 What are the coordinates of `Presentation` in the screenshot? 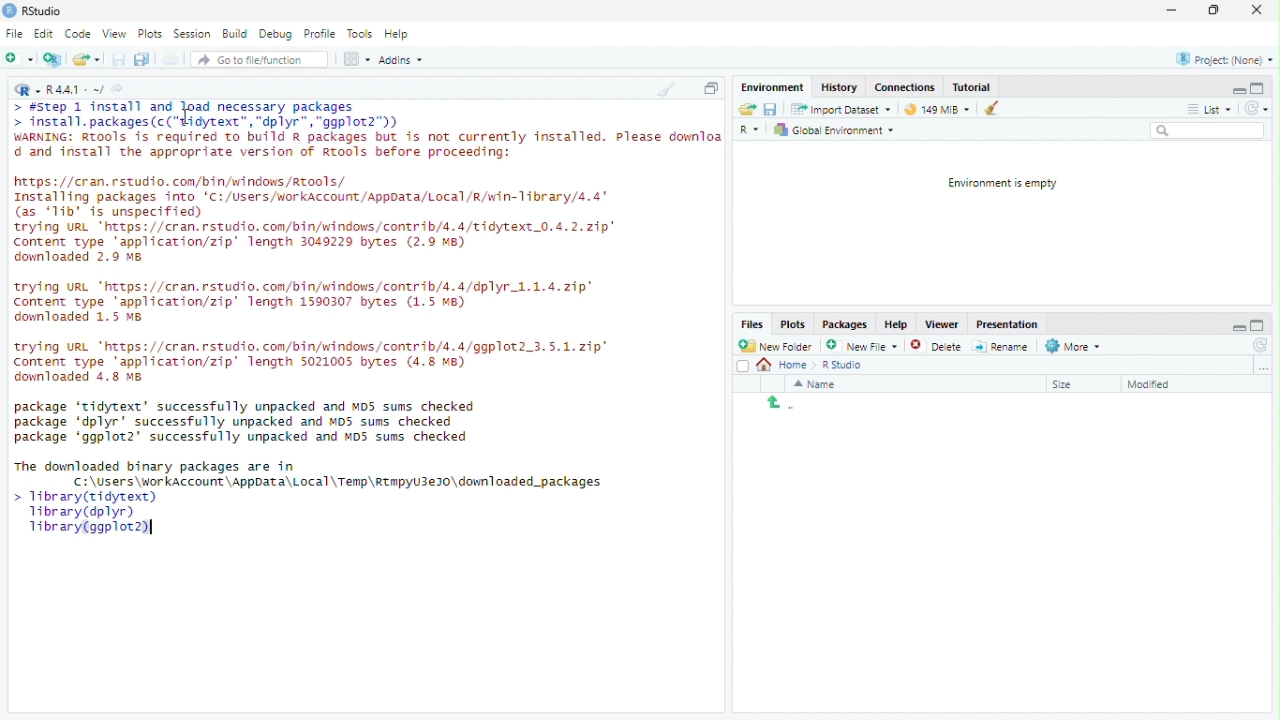 It's located at (1007, 325).